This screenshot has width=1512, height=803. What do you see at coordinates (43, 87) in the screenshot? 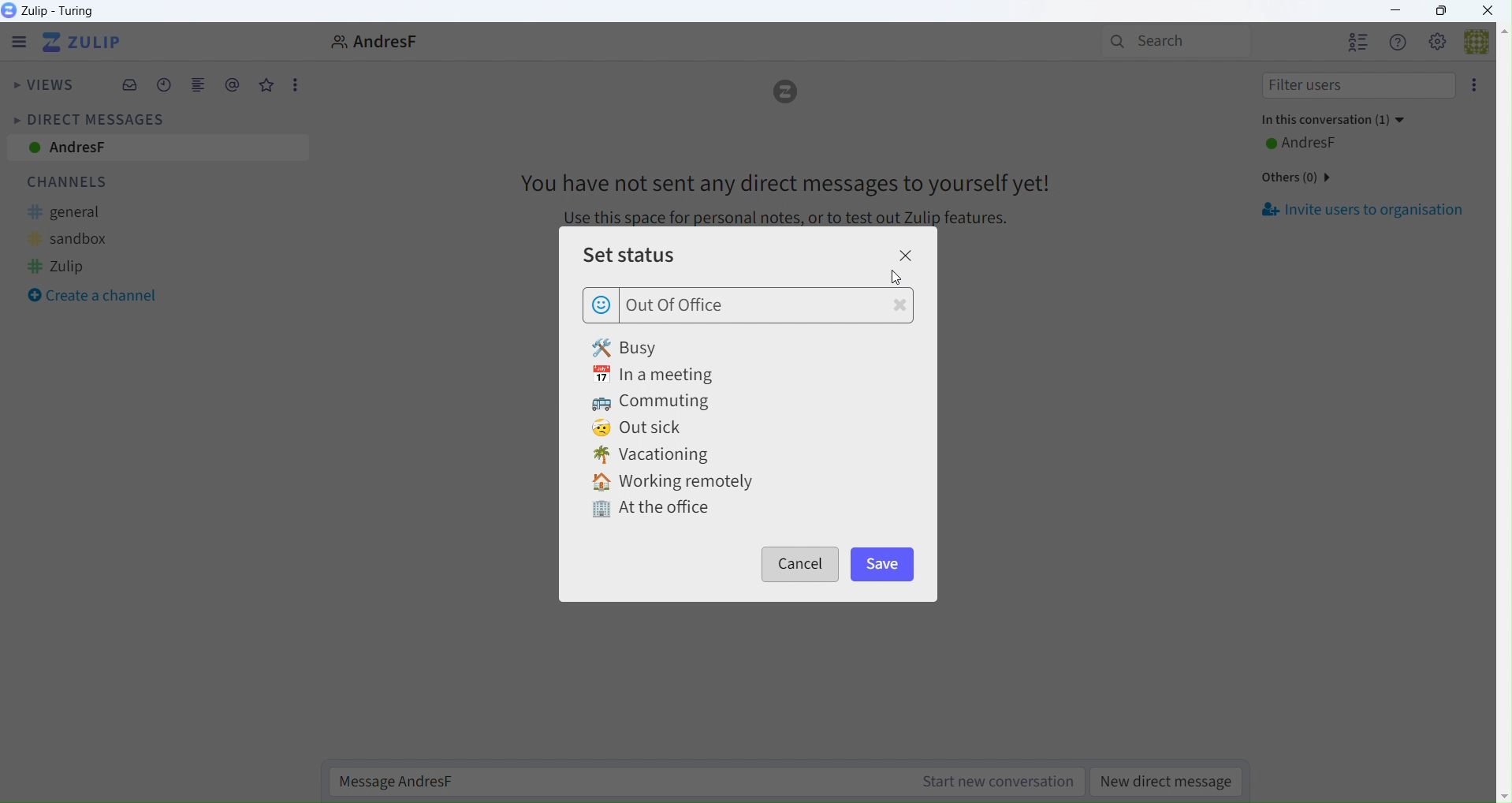
I see `Views` at bounding box center [43, 87].